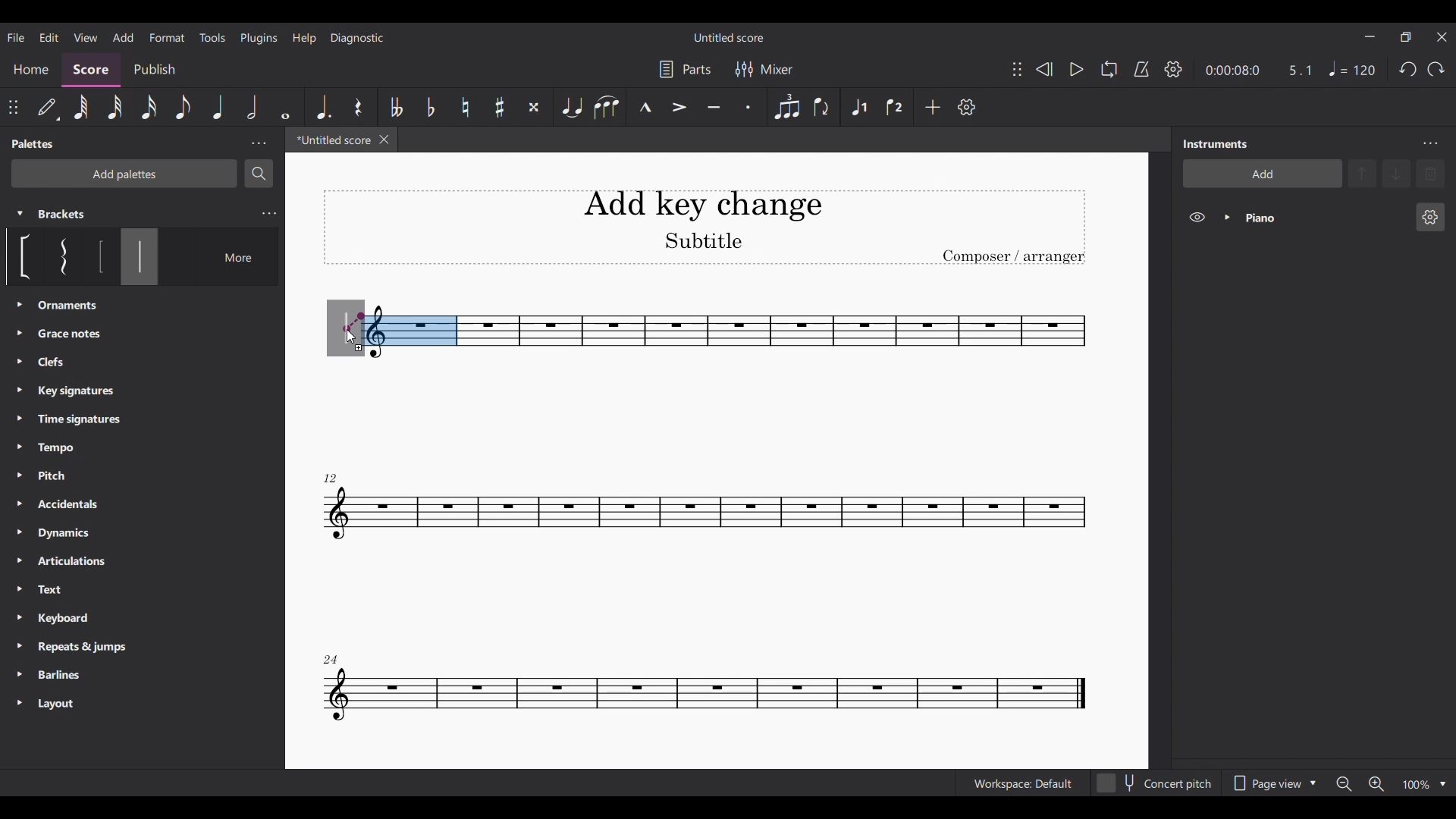  Describe the element at coordinates (1431, 174) in the screenshot. I see `Delete selection` at that location.